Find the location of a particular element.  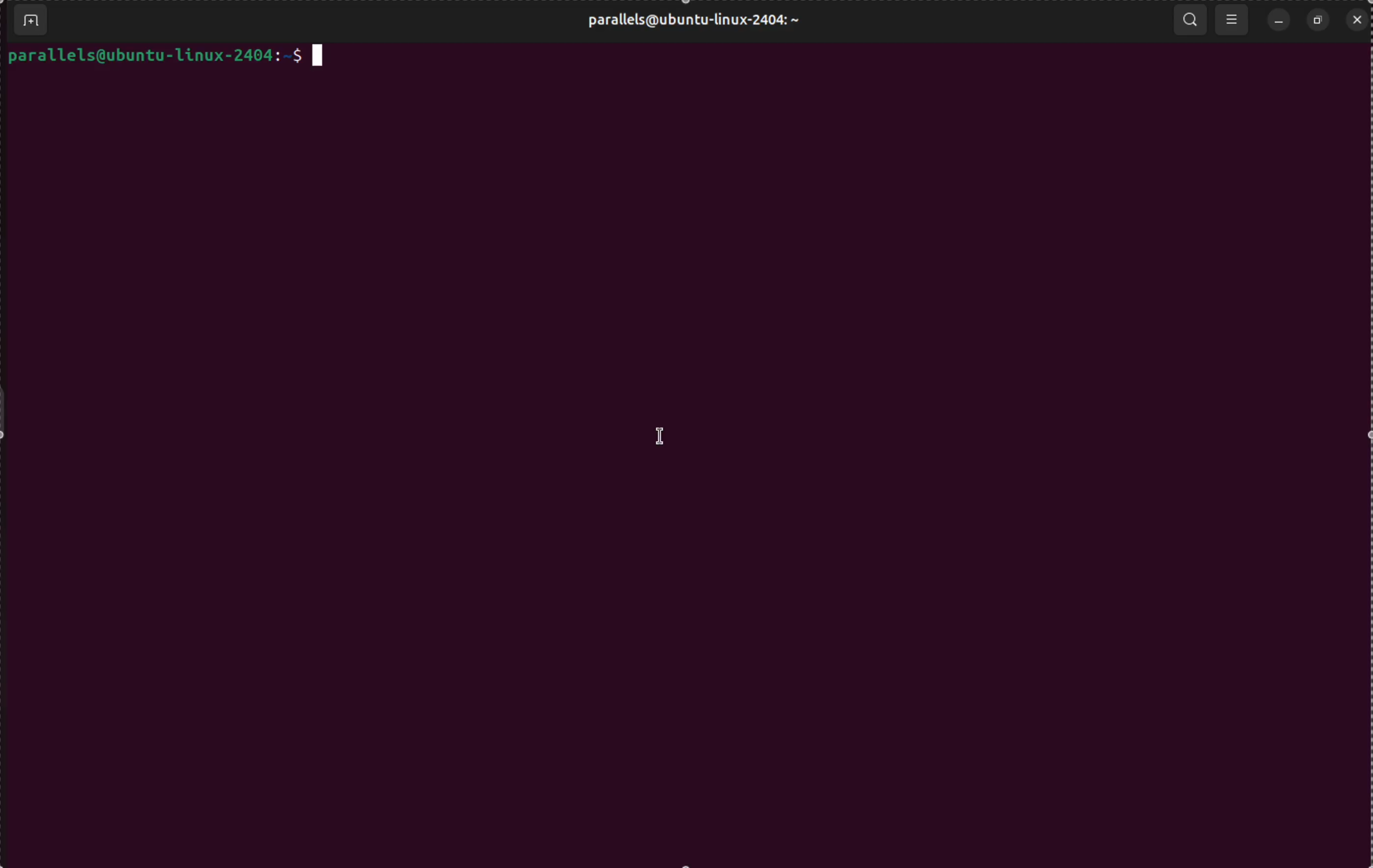

search is located at coordinates (1189, 16).